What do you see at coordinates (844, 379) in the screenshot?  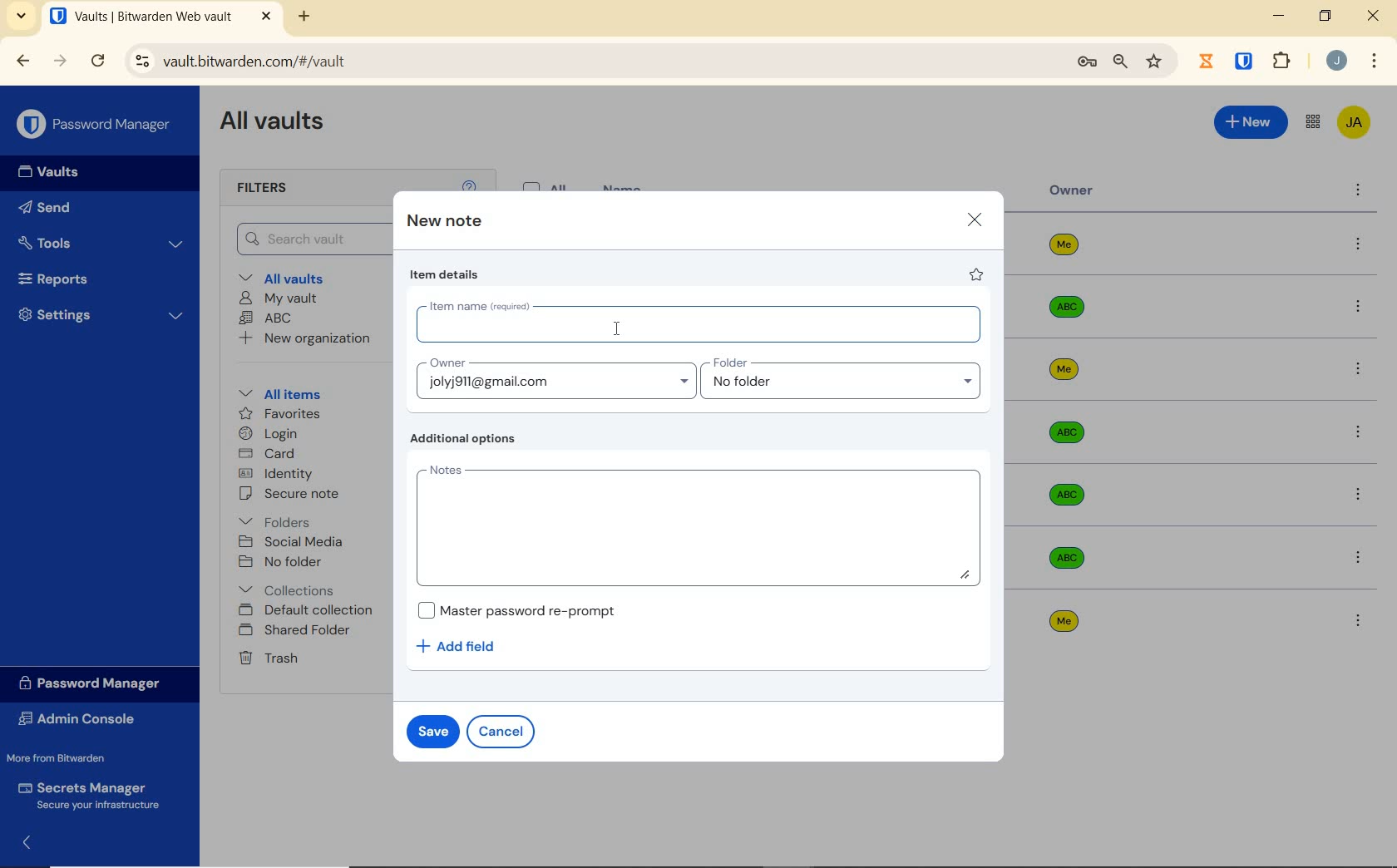 I see `Input folder name` at bounding box center [844, 379].